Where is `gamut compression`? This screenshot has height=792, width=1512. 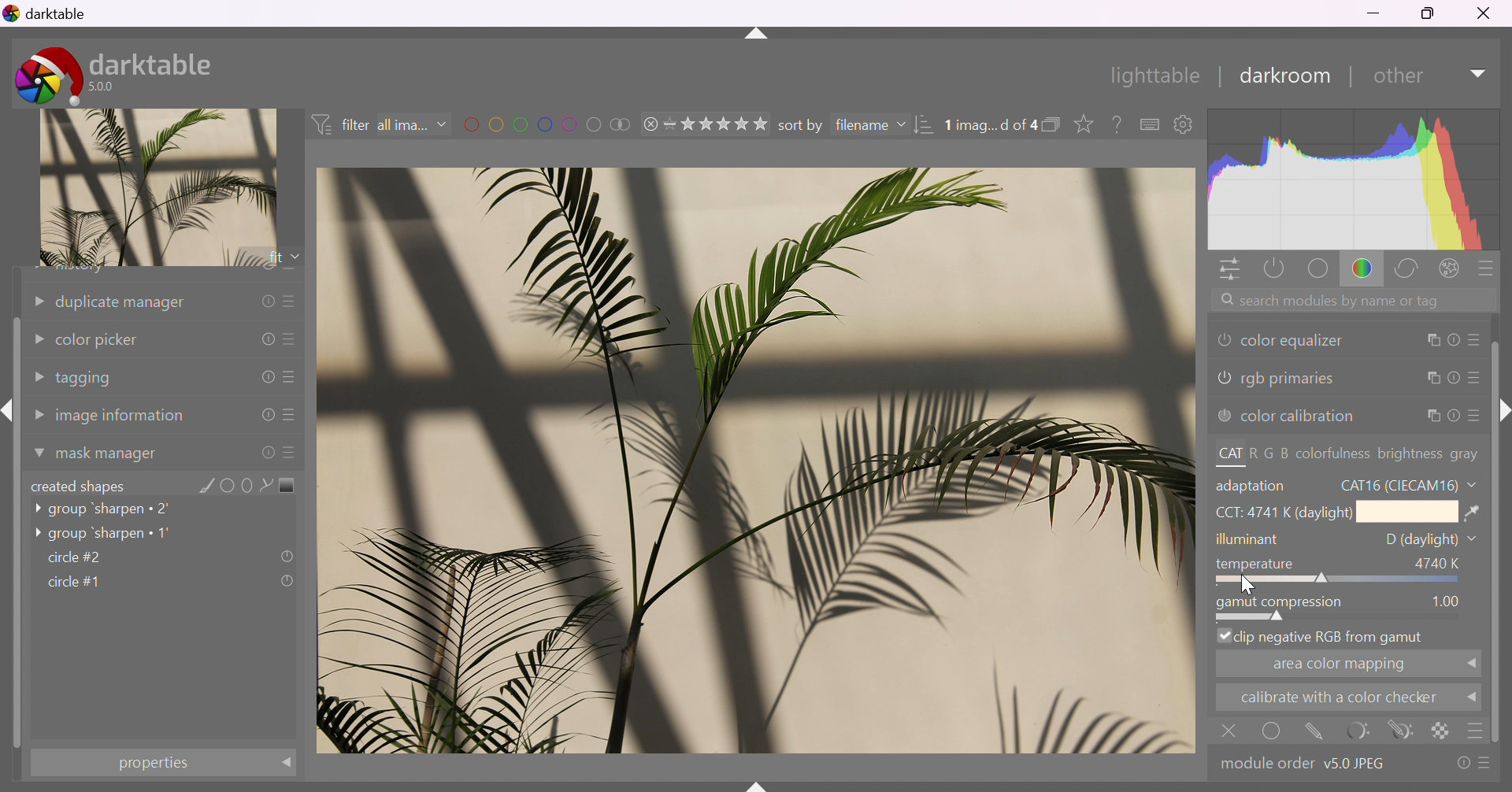 gamut compression is located at coordinates (1340, 609).